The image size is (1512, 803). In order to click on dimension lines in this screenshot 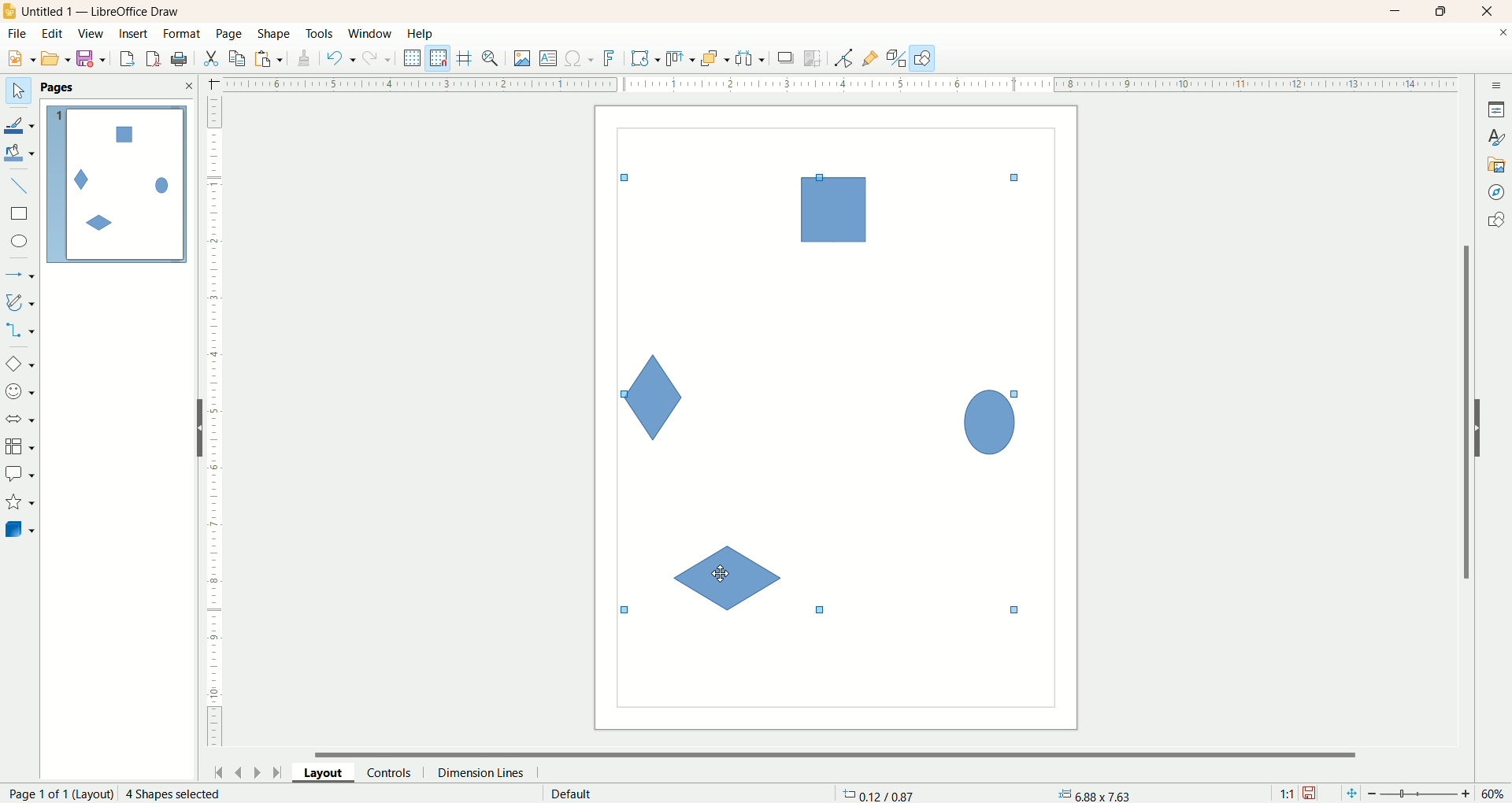, I will do `click(485, 772)`.